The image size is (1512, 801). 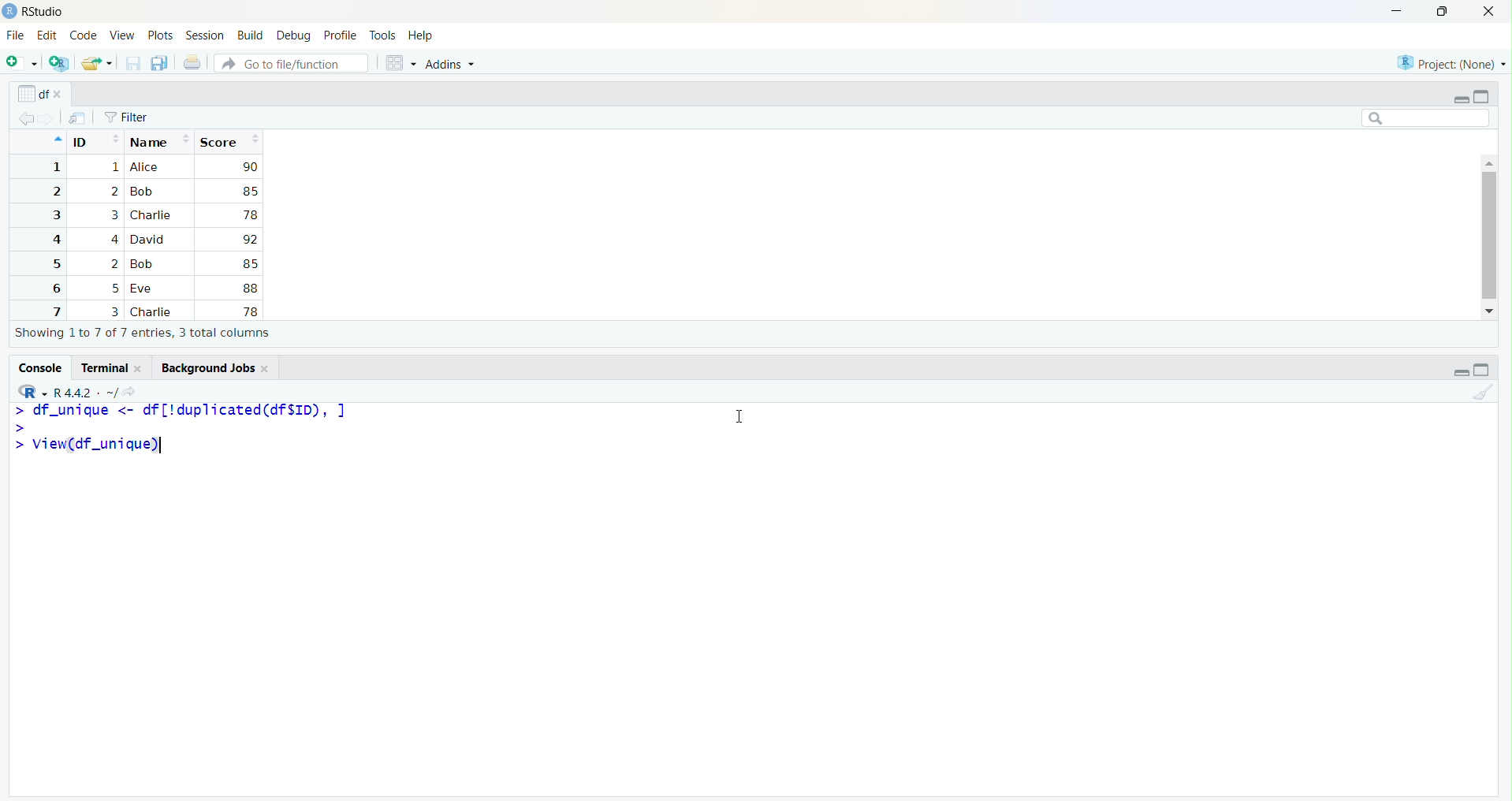 I want to click on maximize, so click(x=1482, y=370).